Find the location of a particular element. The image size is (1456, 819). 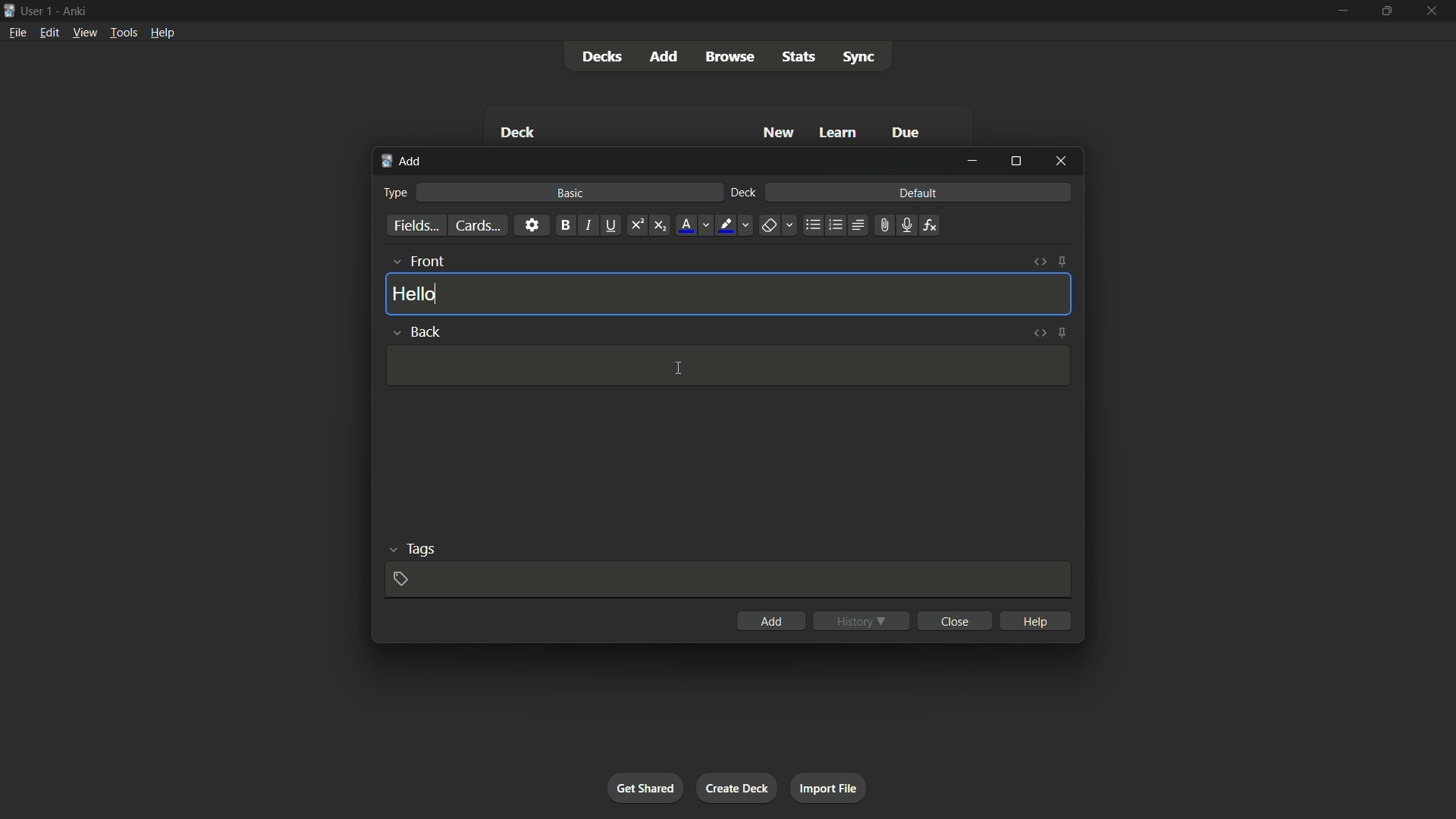

cards is located at coordinates (477, 226).